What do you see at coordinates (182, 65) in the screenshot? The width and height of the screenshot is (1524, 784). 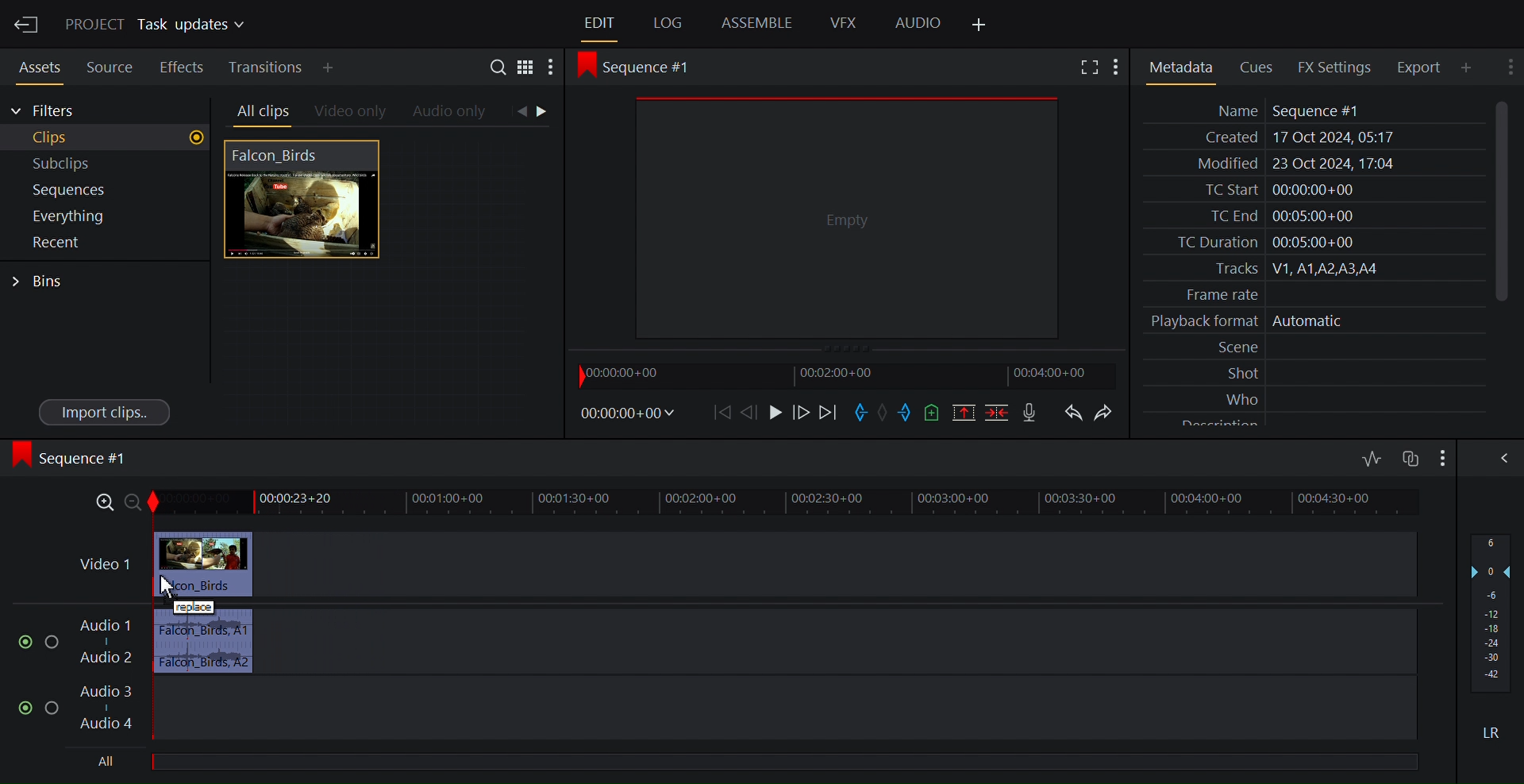 I see `Effects` at bounding box center [182, 65].